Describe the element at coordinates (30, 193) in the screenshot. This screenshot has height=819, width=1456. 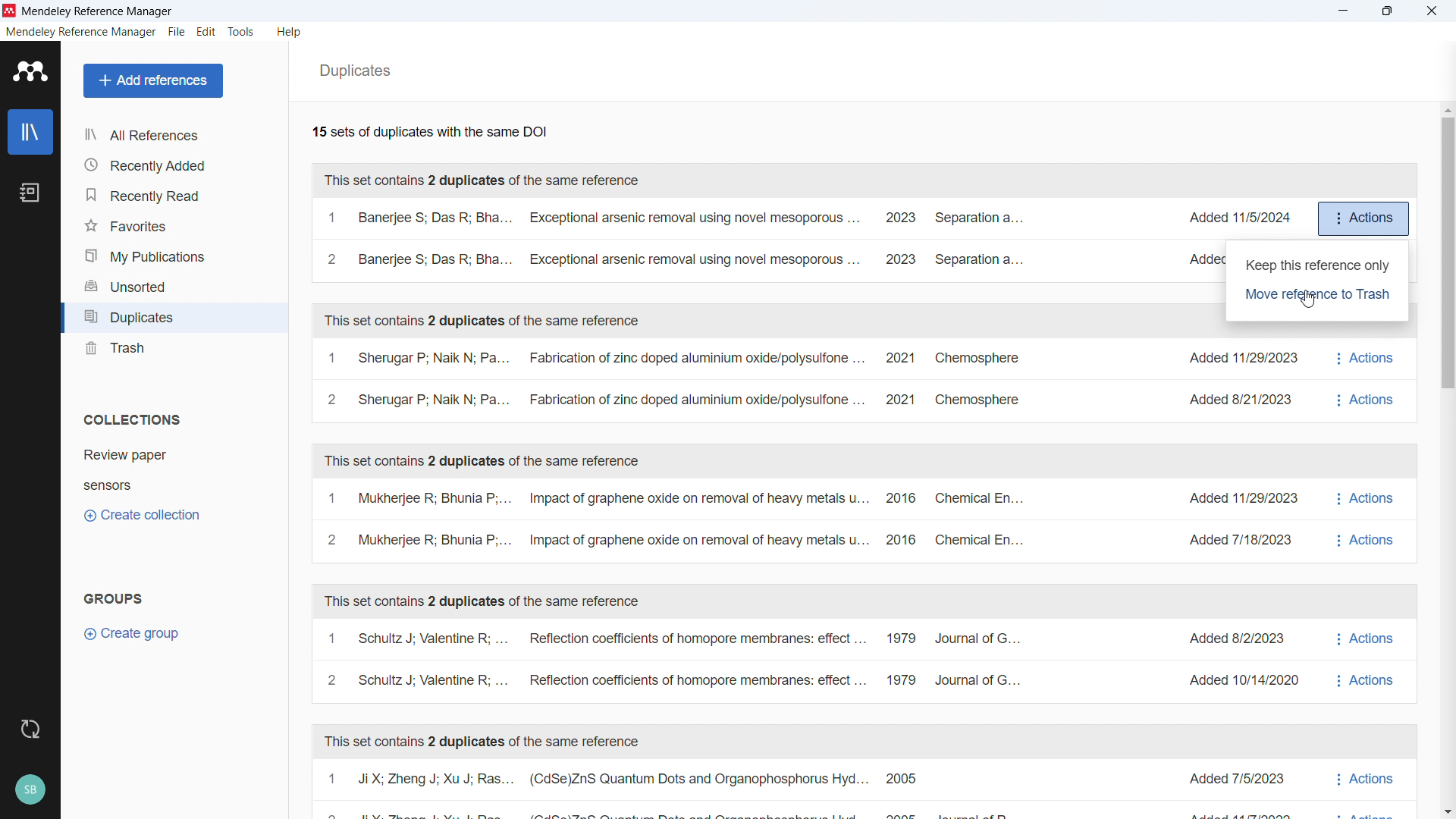
I see `Notebook ` at that location.